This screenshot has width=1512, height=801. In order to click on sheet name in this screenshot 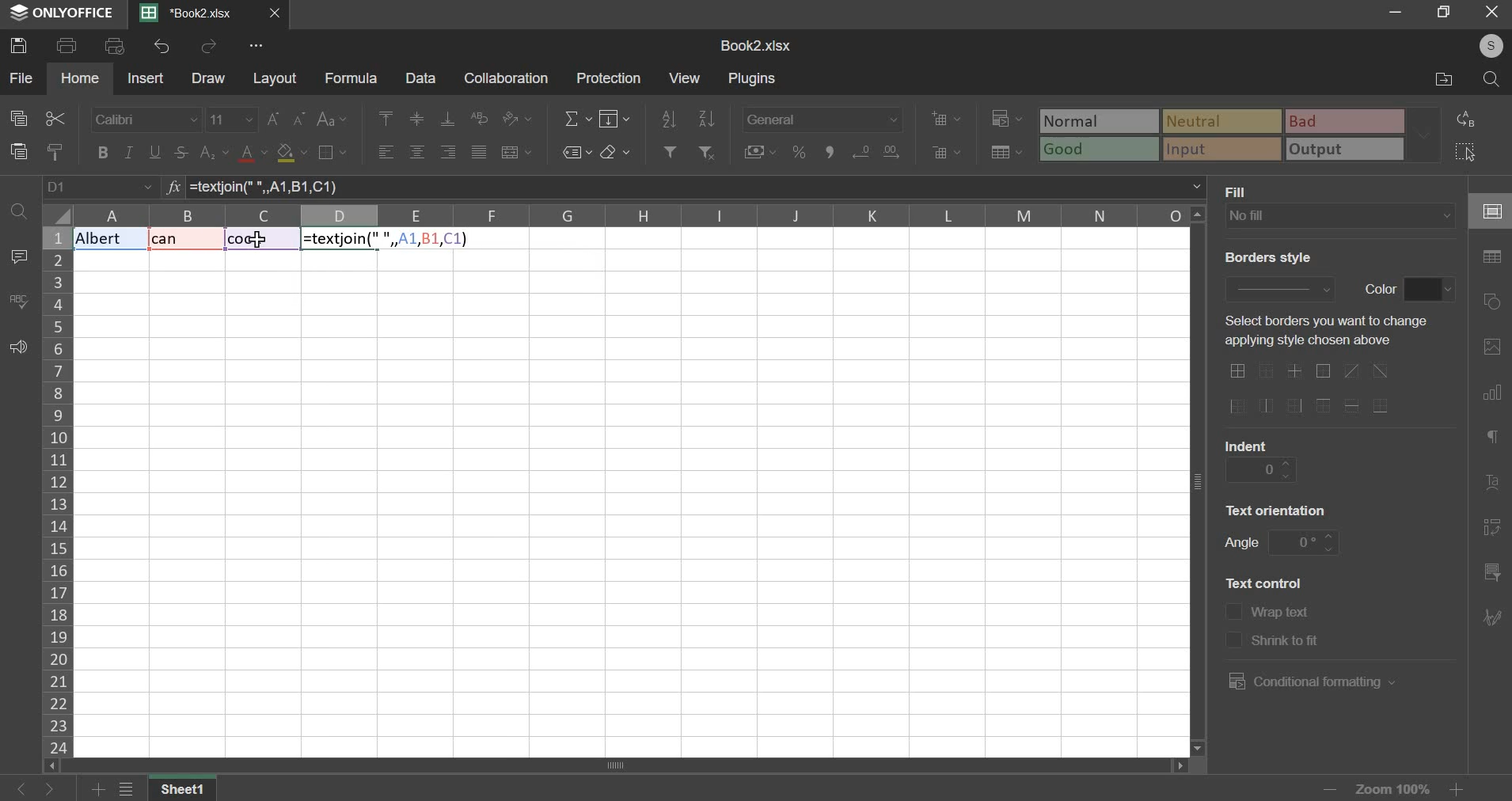, I will do `click(188, 790)`.